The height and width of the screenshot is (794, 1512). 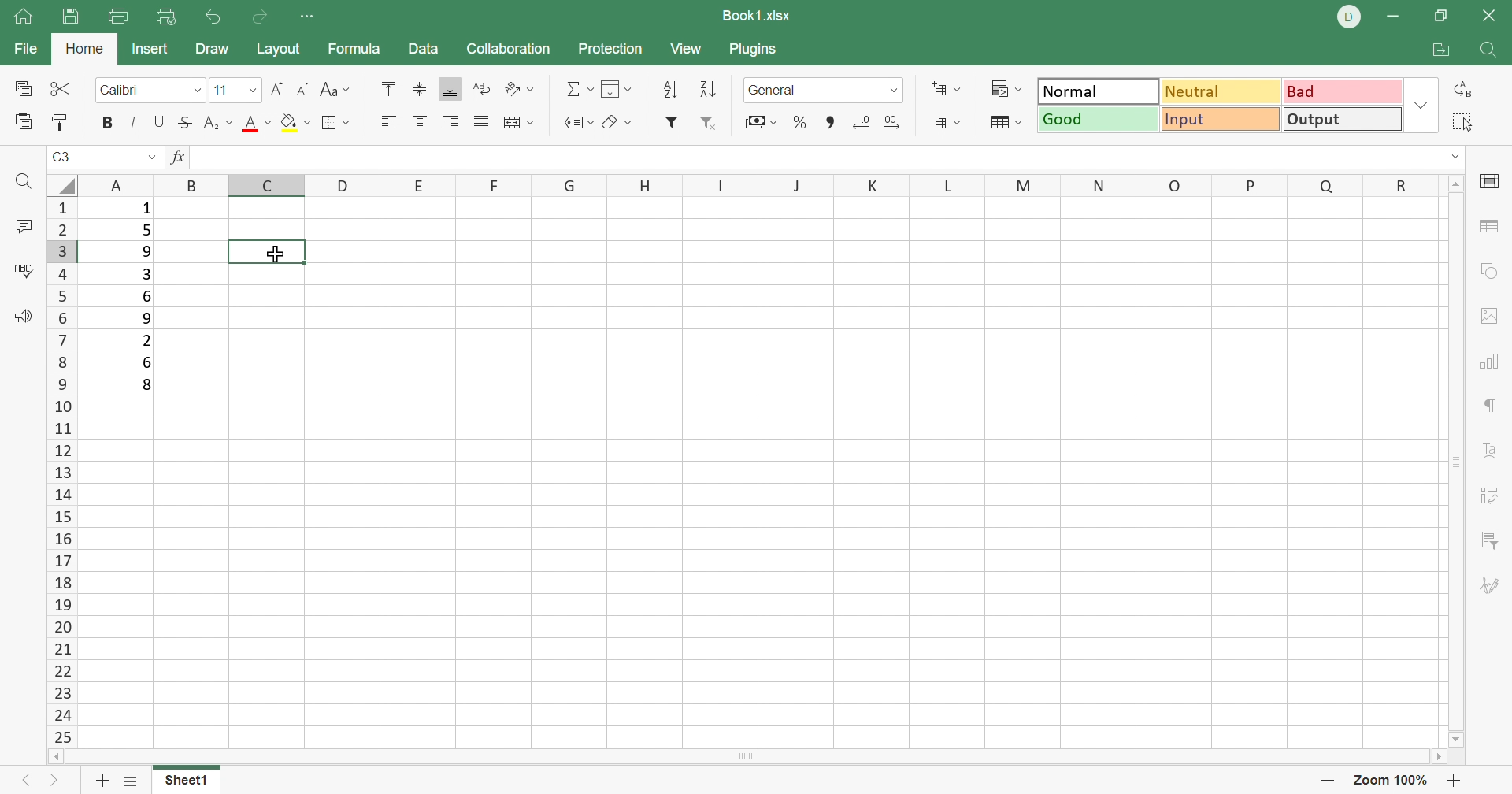 What do you see at coordinates (1490, 53) in the screenshot?
I see `Find` at bounding box center [1490, 53].